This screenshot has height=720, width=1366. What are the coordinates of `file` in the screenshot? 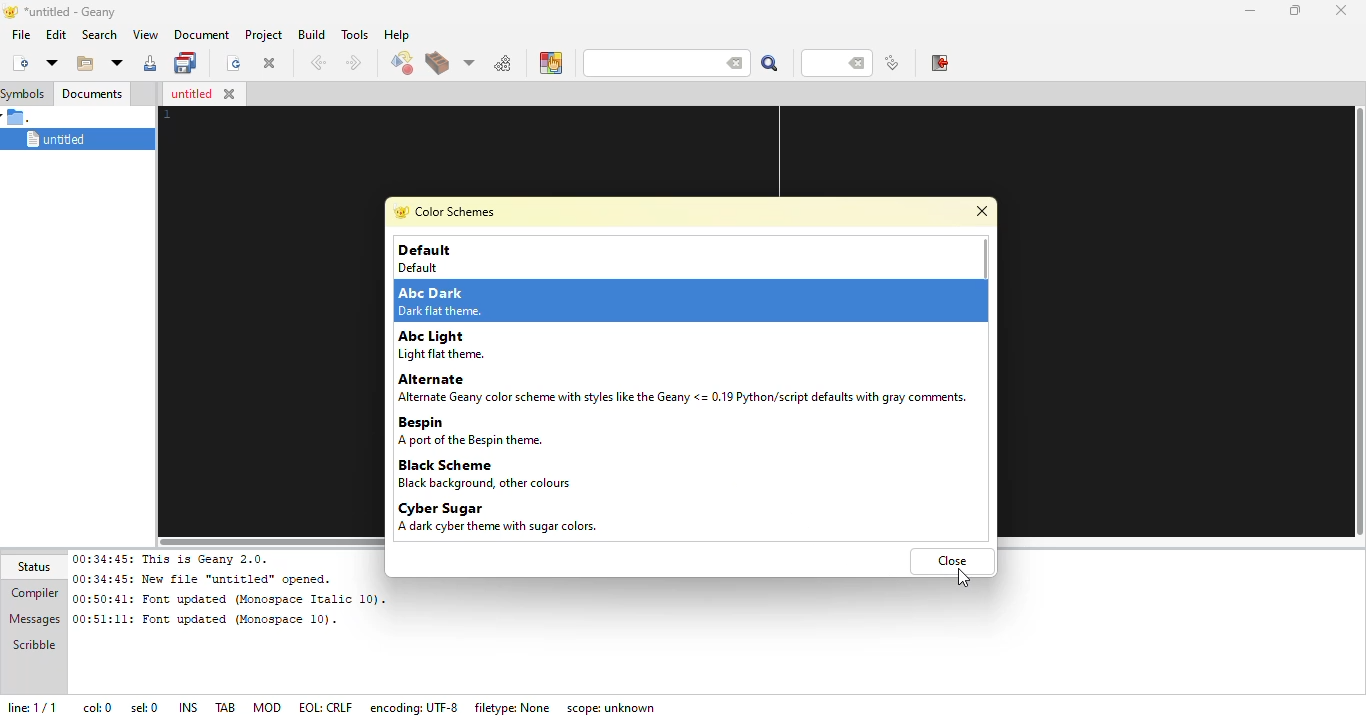 It's located at (20, 34).